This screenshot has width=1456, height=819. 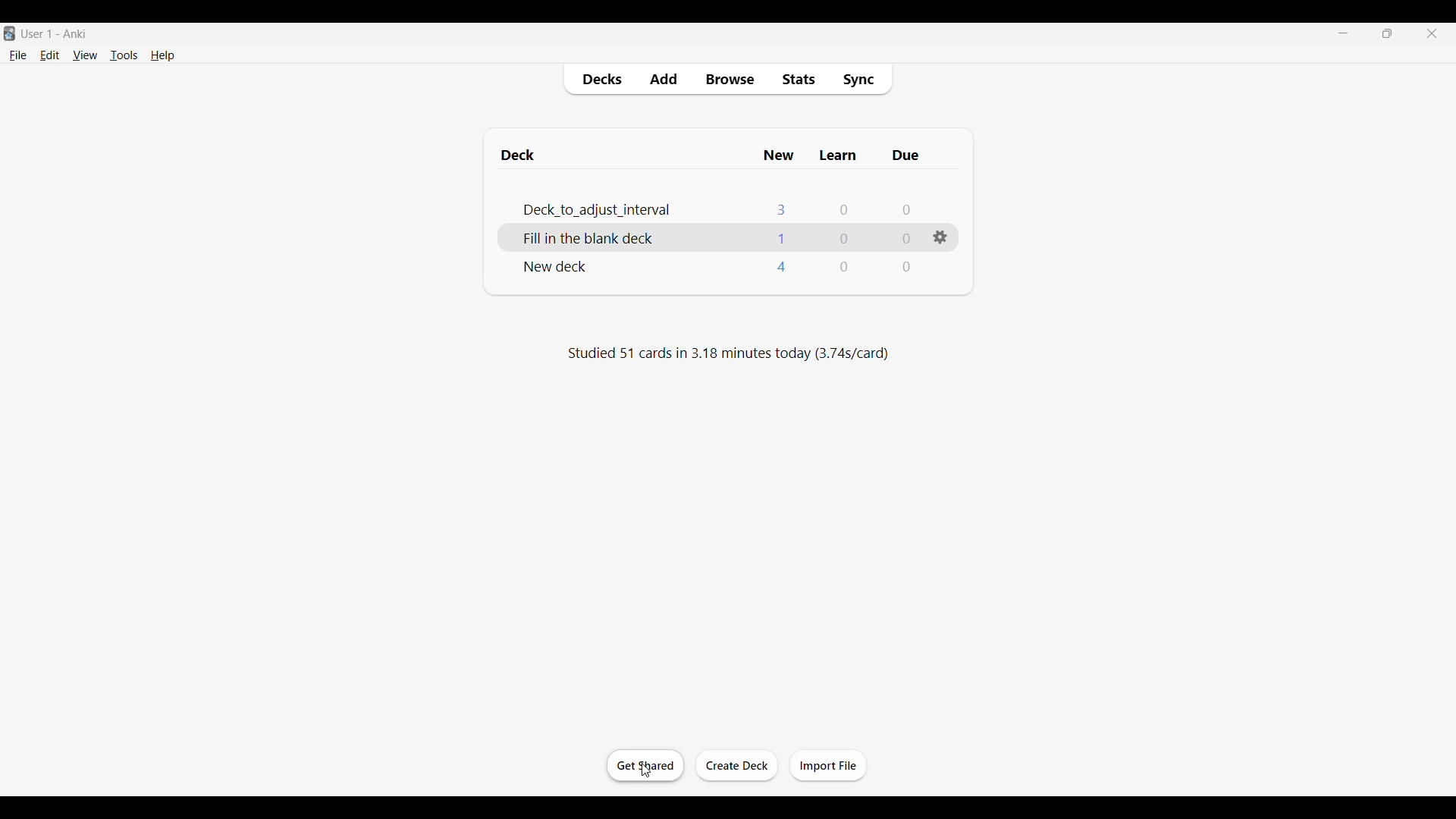 I want to click on Cursor clicking on Get shared, so click(x=646, y=770).